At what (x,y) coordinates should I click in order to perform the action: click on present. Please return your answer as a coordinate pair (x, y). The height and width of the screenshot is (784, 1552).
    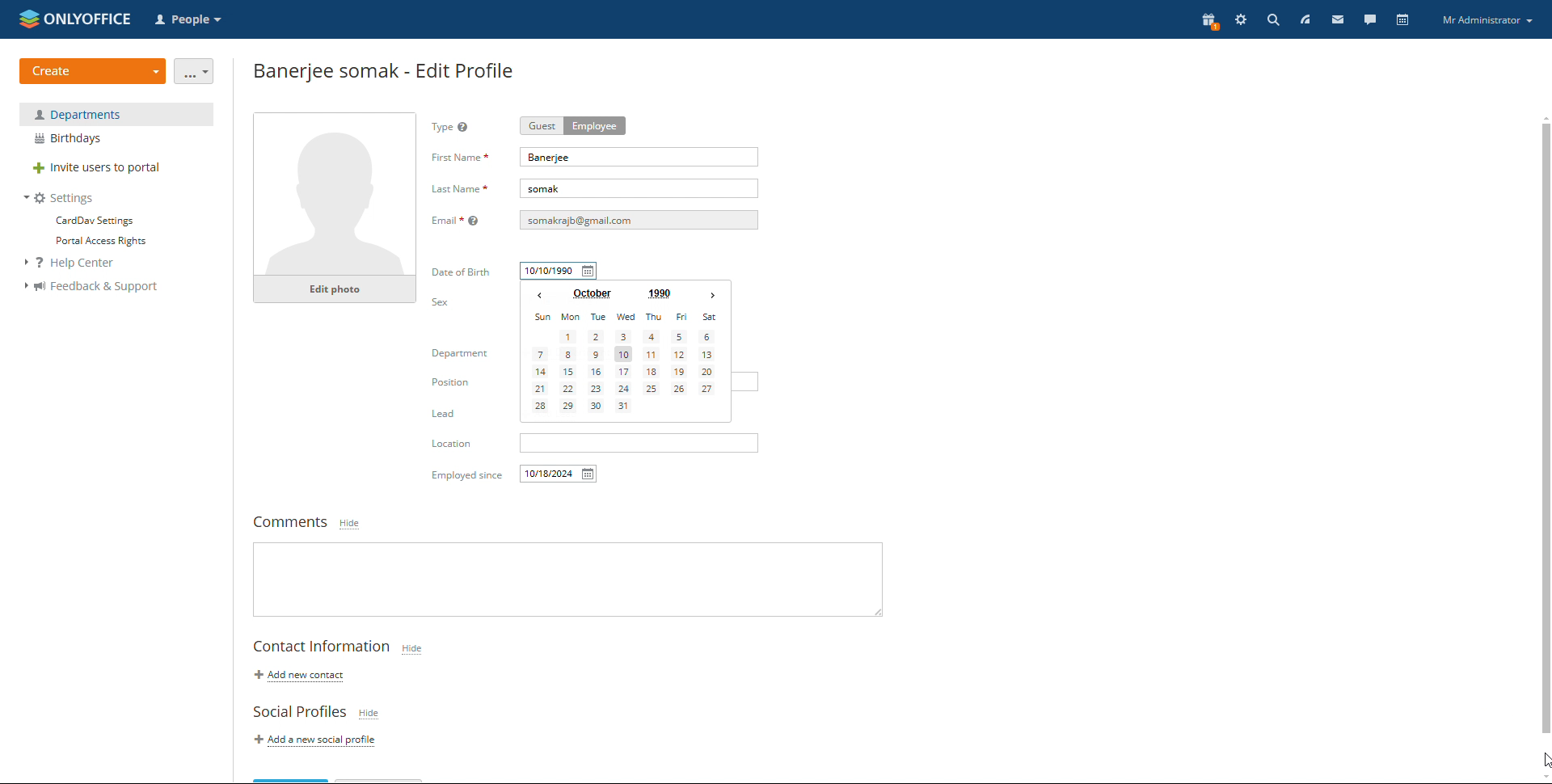
    Looking at the image, I should click on (1208, 22).